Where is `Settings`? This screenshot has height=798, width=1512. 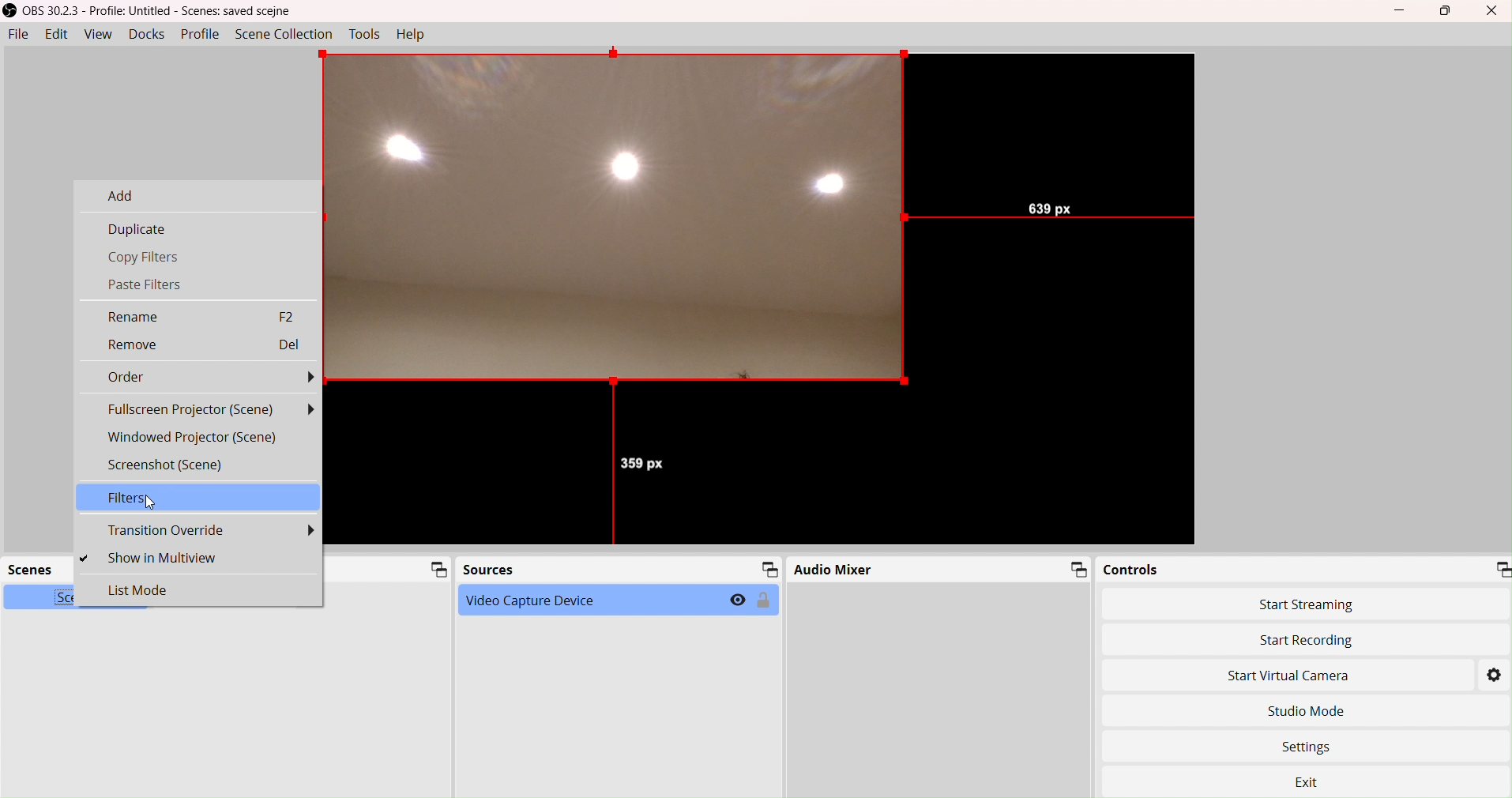
Settings is located at coordinates (1310, 749).